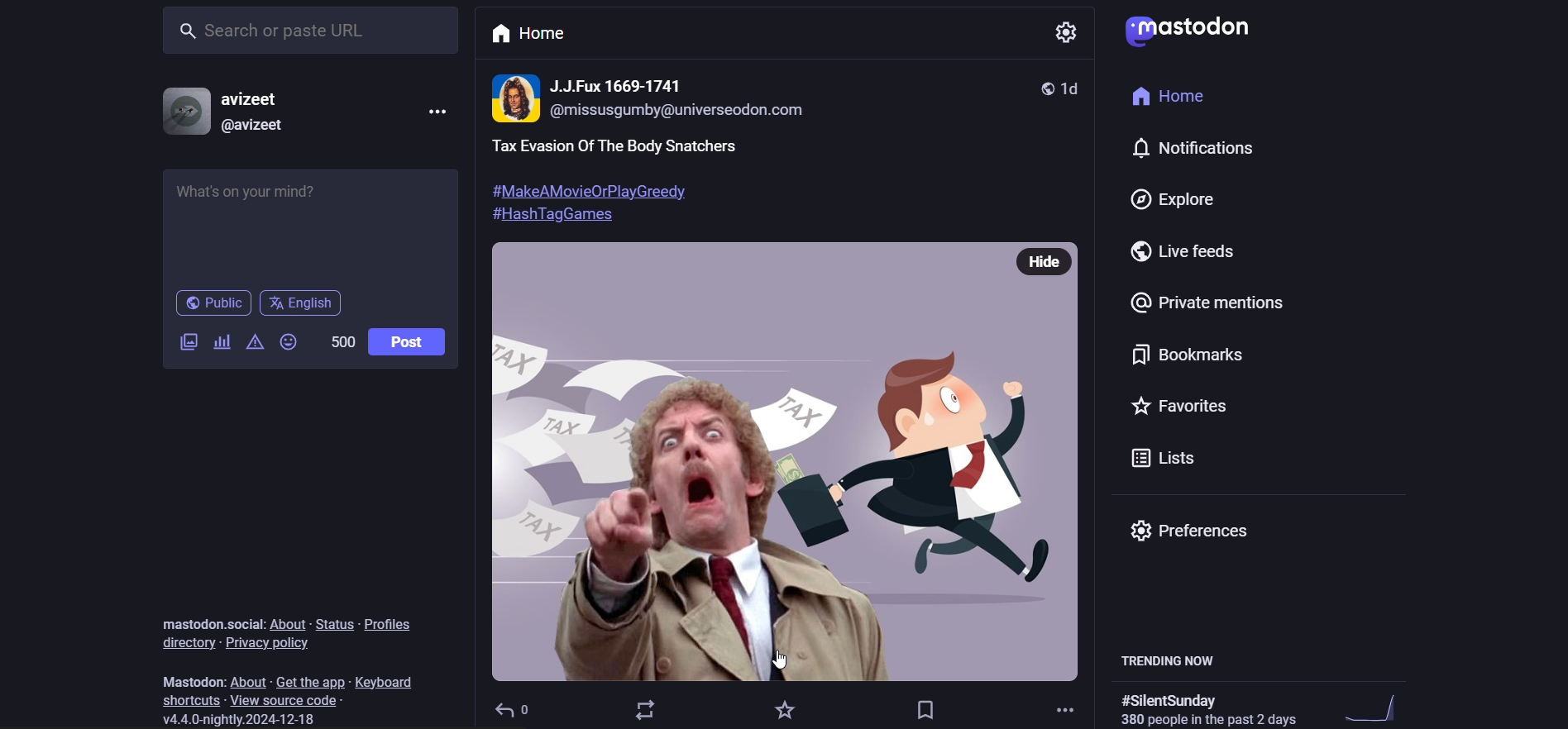 The image size is (1568, 729). Describe the element at coordinates (308, 680) in the screenshot. I see `get the app` at that location.